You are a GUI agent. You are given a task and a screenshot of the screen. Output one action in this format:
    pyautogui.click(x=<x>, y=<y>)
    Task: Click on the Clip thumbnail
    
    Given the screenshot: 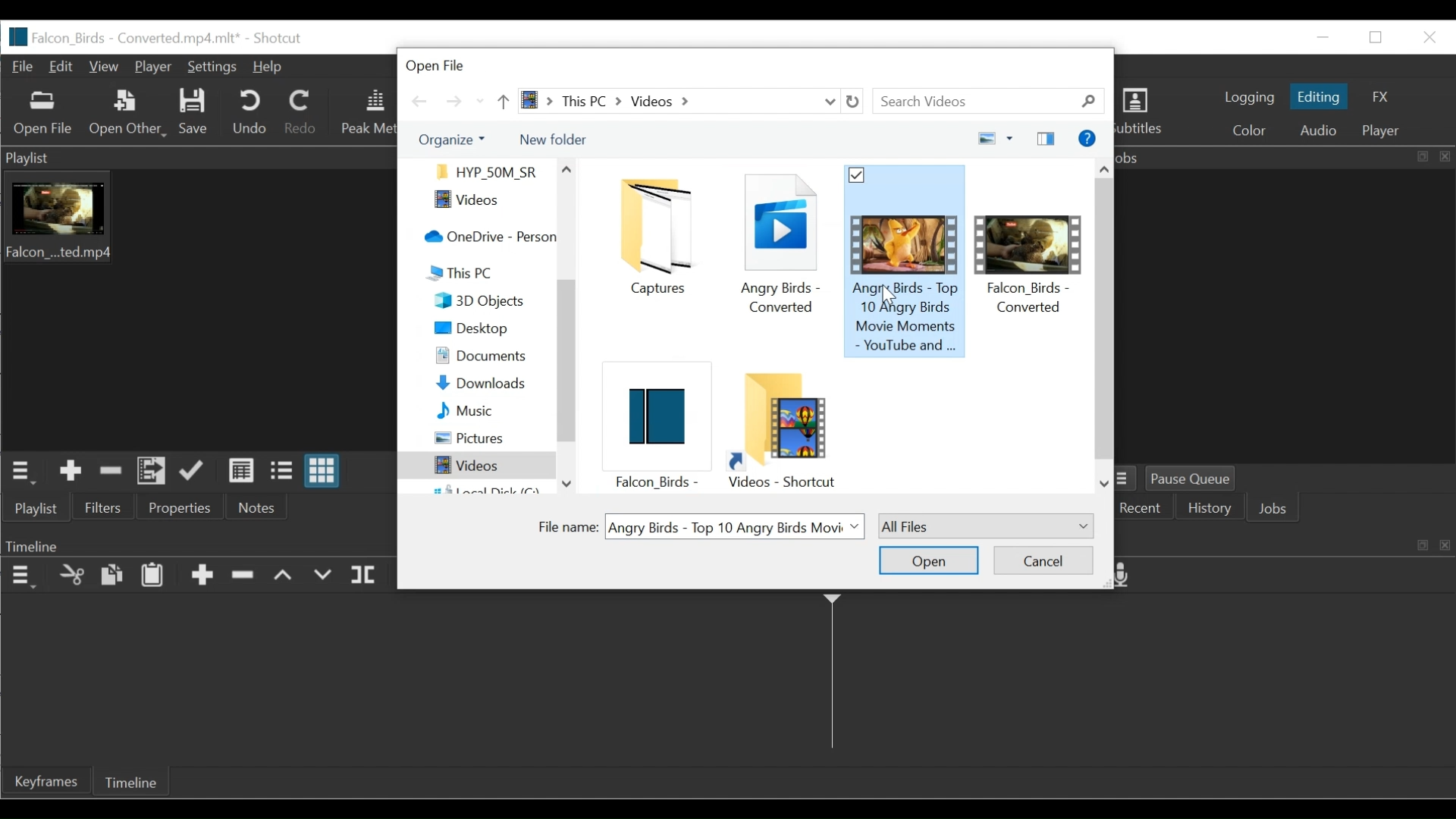 What is the action you would take?
    pyautogui.click(x=193, y=310)
    